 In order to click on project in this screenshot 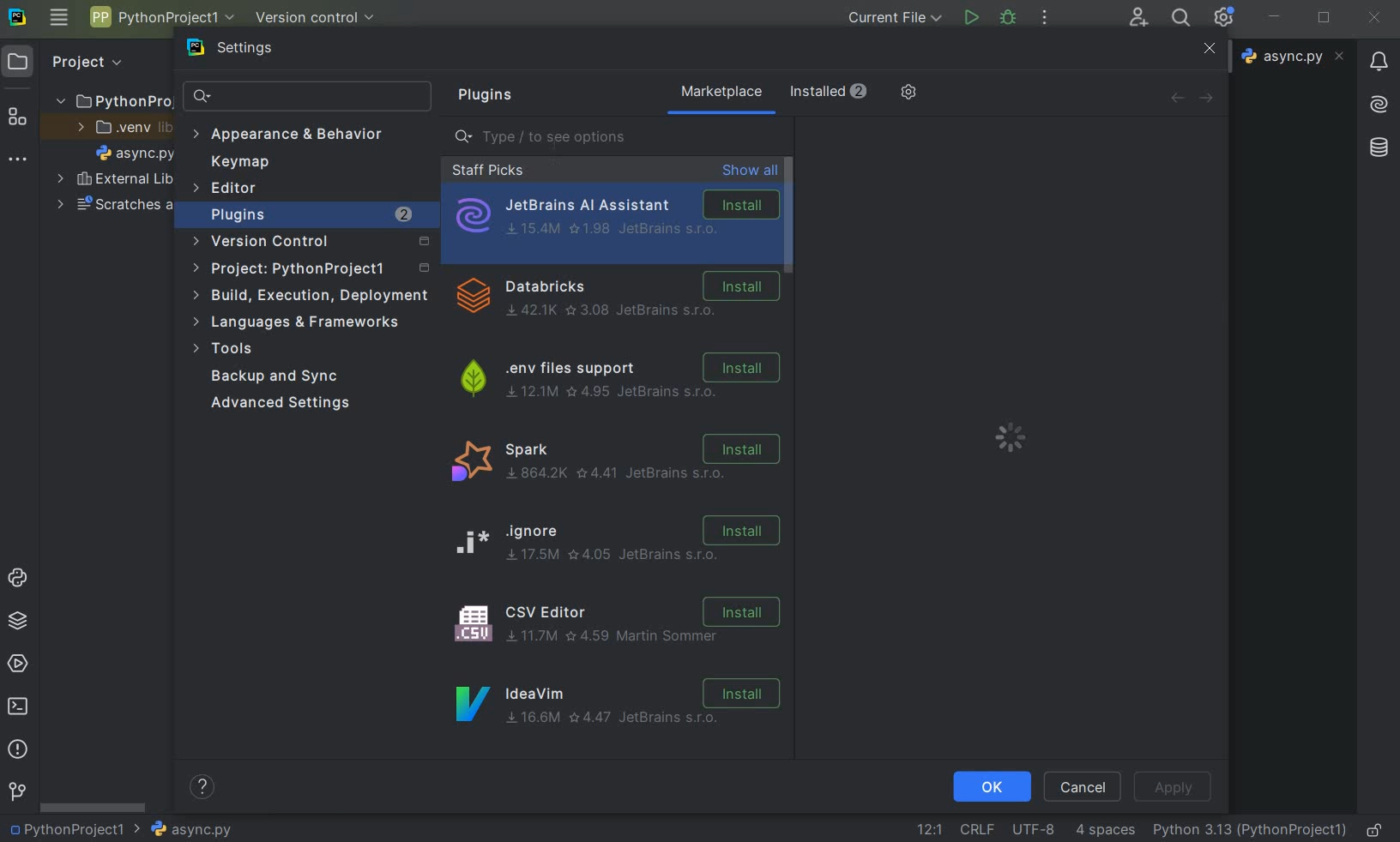, I will do `click(309, 270)`.